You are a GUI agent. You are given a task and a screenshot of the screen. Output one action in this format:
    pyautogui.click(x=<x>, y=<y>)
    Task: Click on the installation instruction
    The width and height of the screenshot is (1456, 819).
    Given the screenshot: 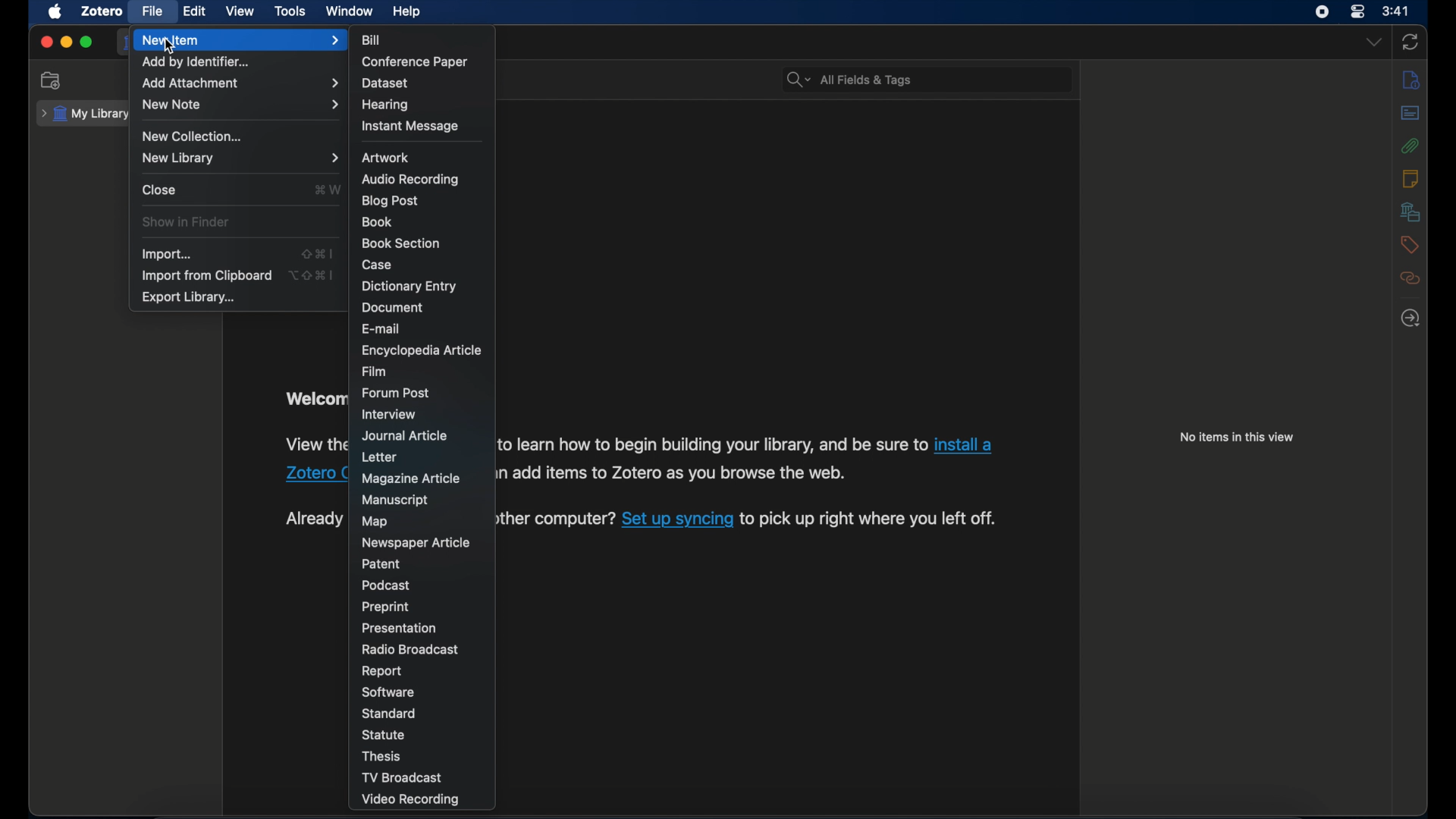 What is the action you would take?
    pyautogui.click(x=313, y=444)
    